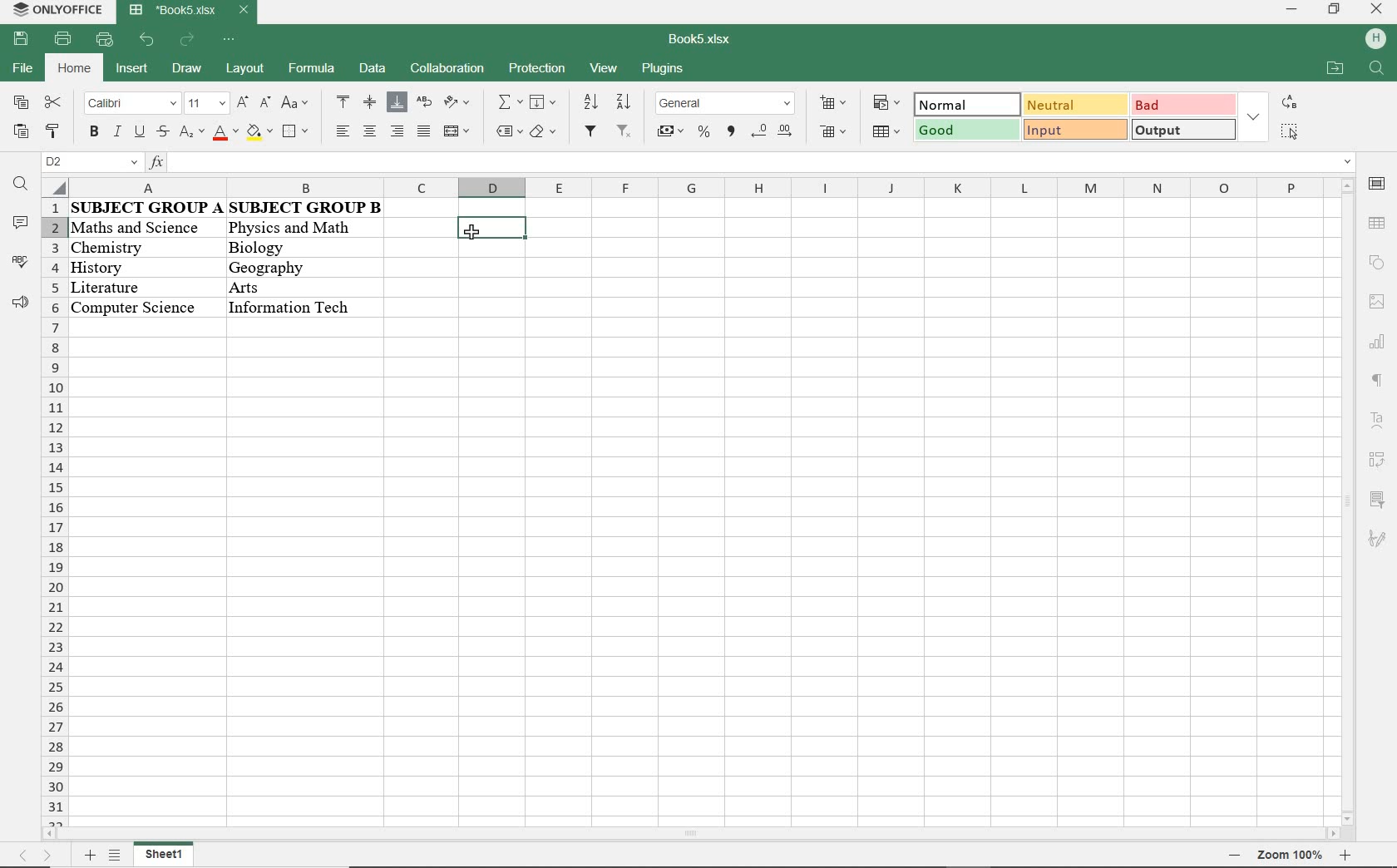  Describe the element at coordinates (116, 133) in the screenshot. I see `italic` at that location.